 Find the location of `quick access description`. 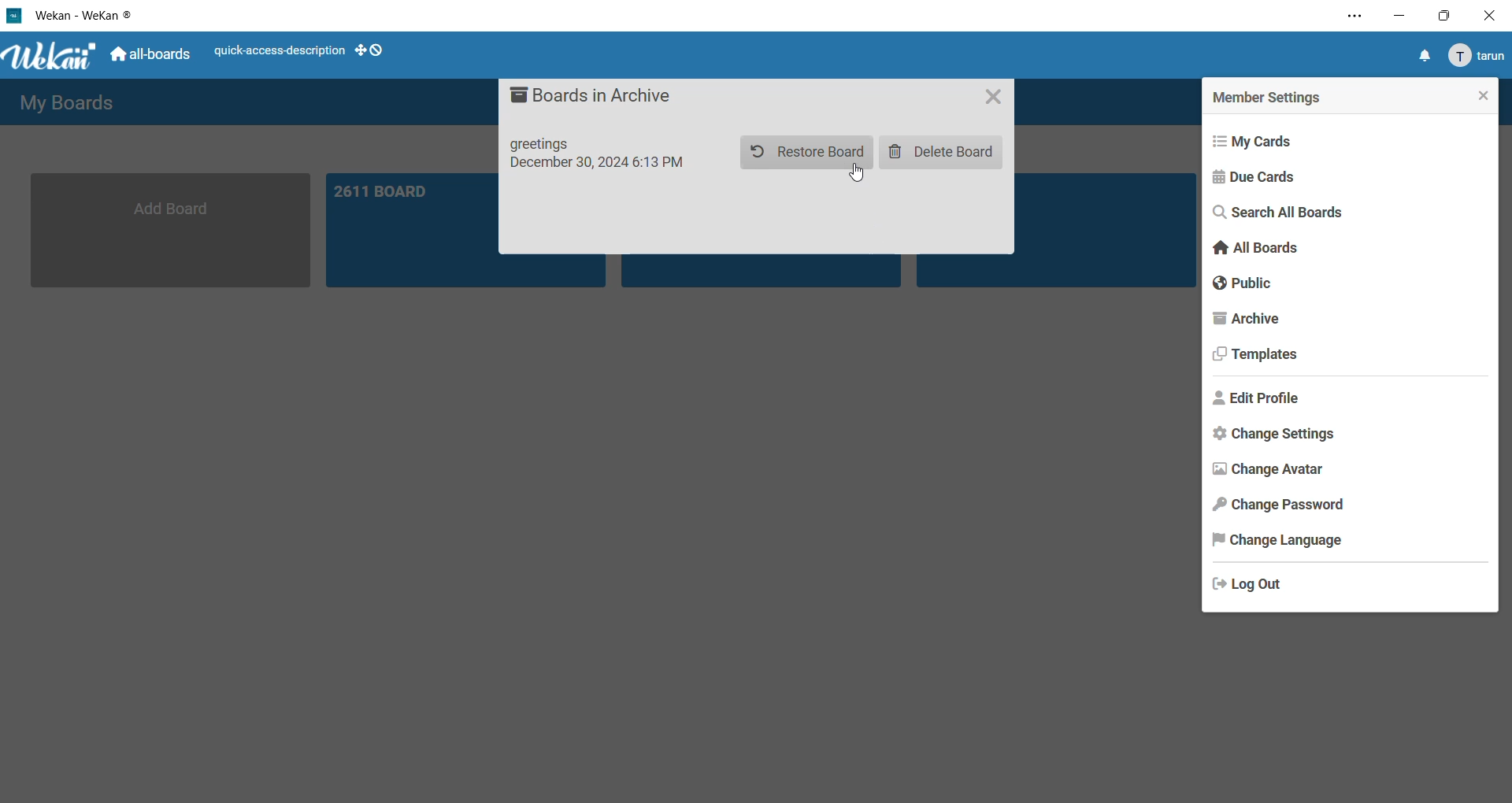

quick access description is located at coordinates (278, 53).